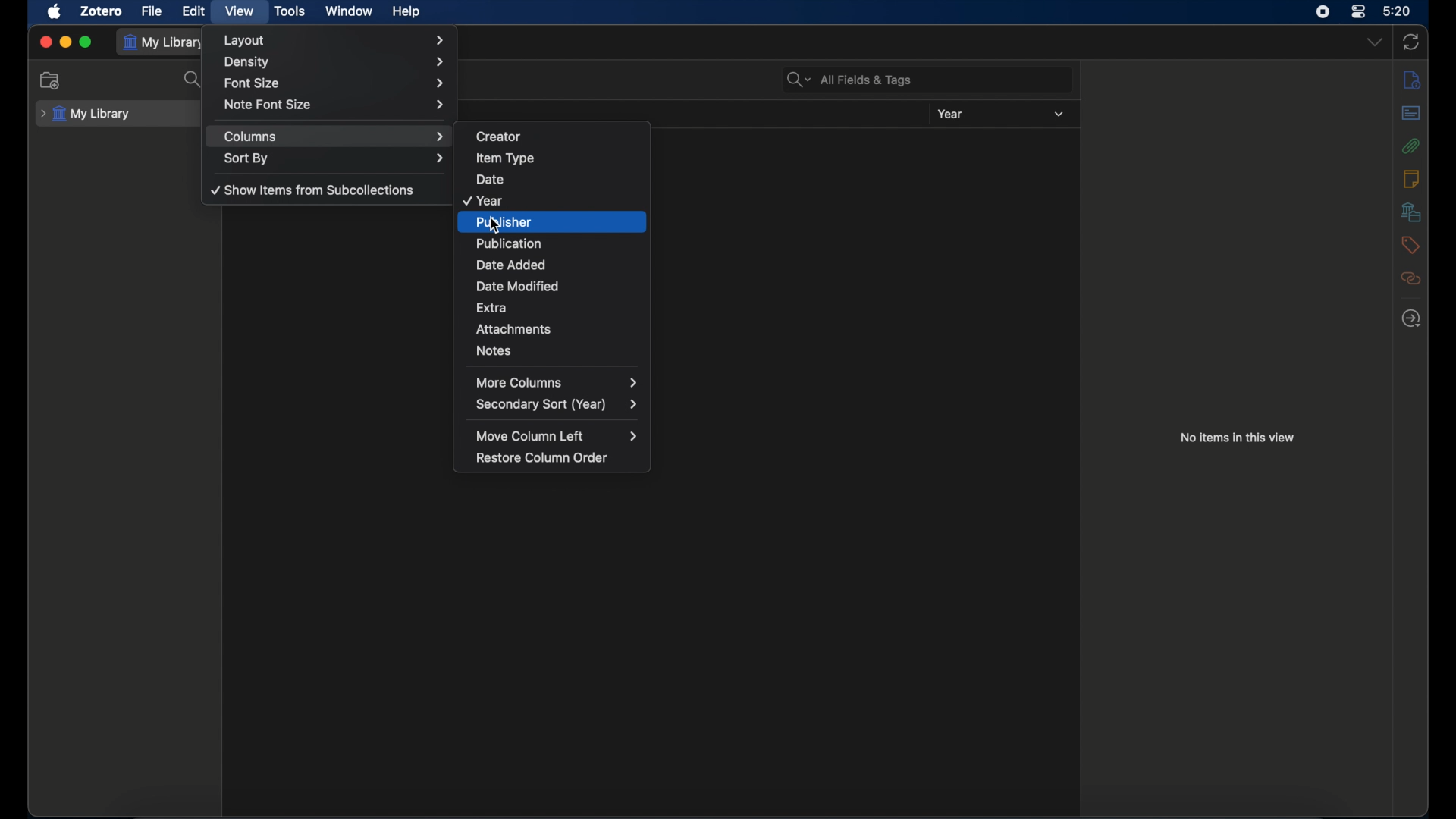 The width and height of the screenshot is (1456, 819). What do you see at coordinates (560, 305) in the screenshot?
I see `extra` at bounding box center [560, 305].